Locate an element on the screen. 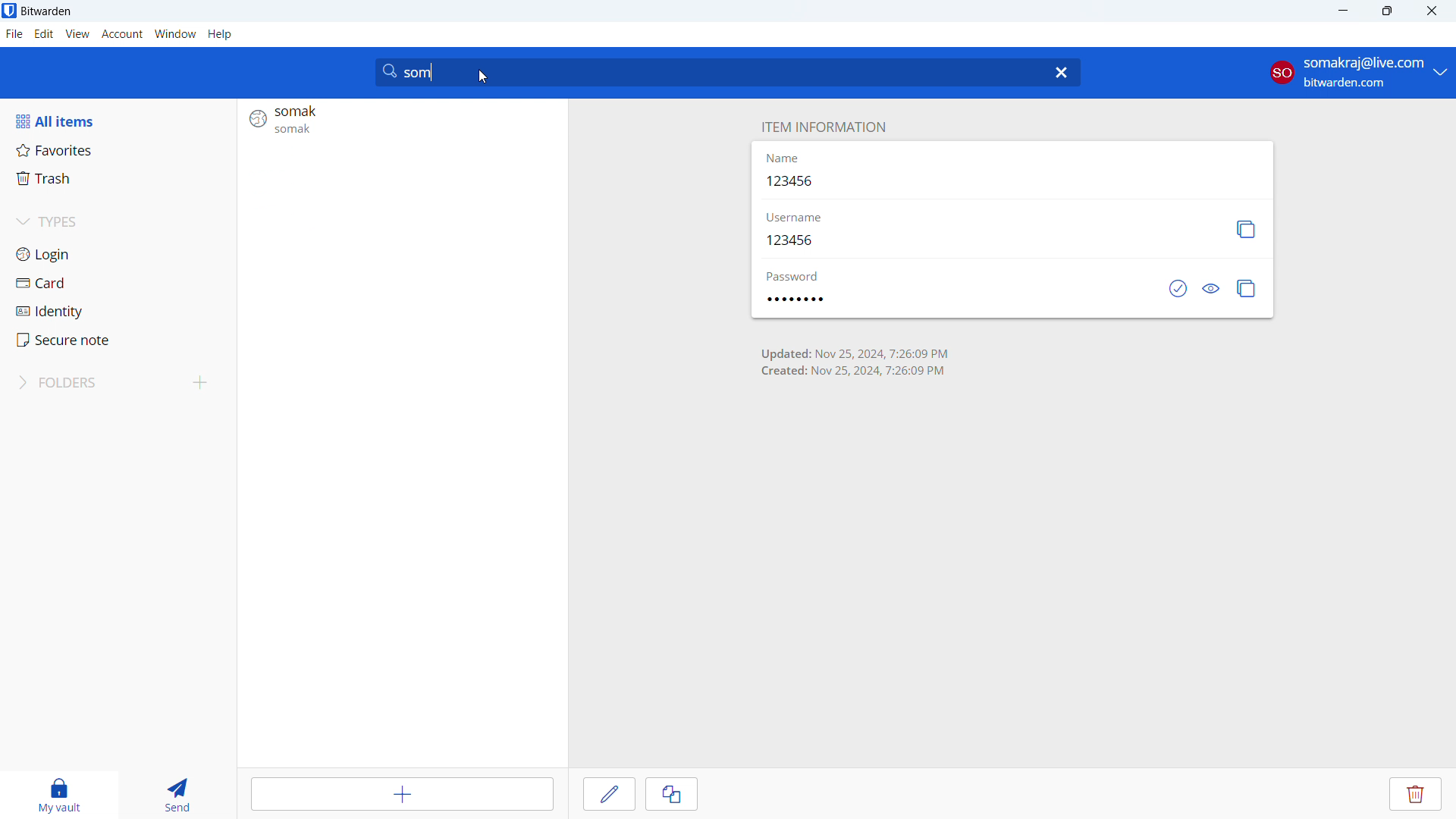  search result is located at coordinates (402, 119).